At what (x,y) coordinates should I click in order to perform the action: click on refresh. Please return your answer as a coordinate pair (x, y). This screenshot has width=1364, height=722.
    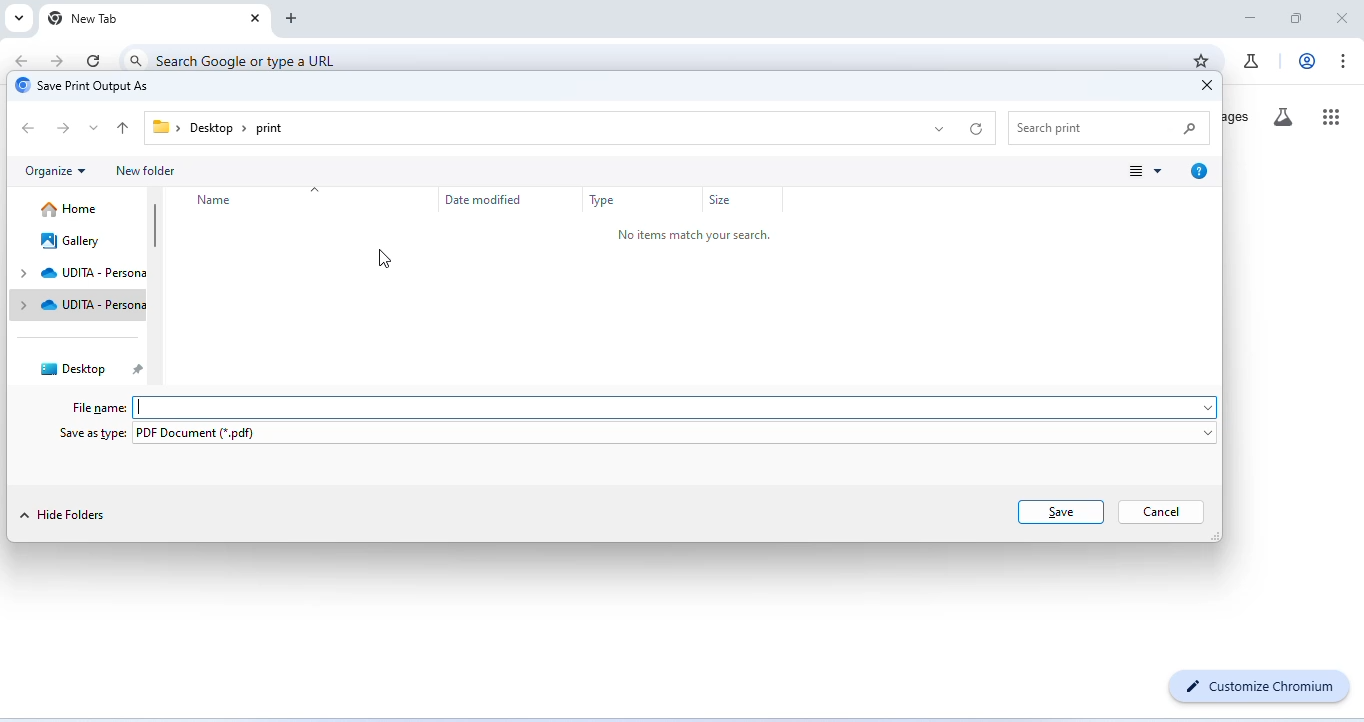
    Looking at the image, I should click on (980, 129).